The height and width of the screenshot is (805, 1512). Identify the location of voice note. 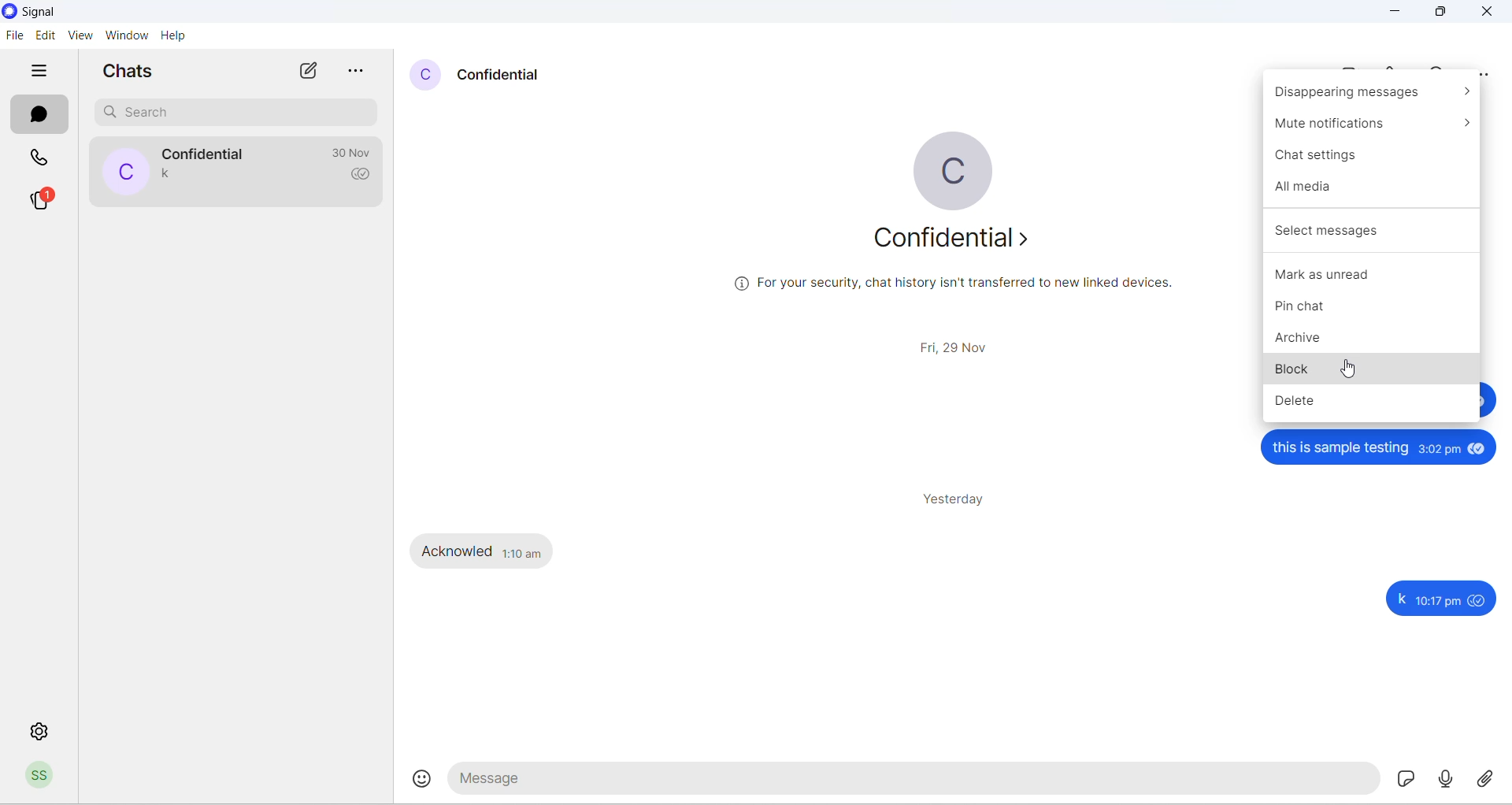
(1443, 777).